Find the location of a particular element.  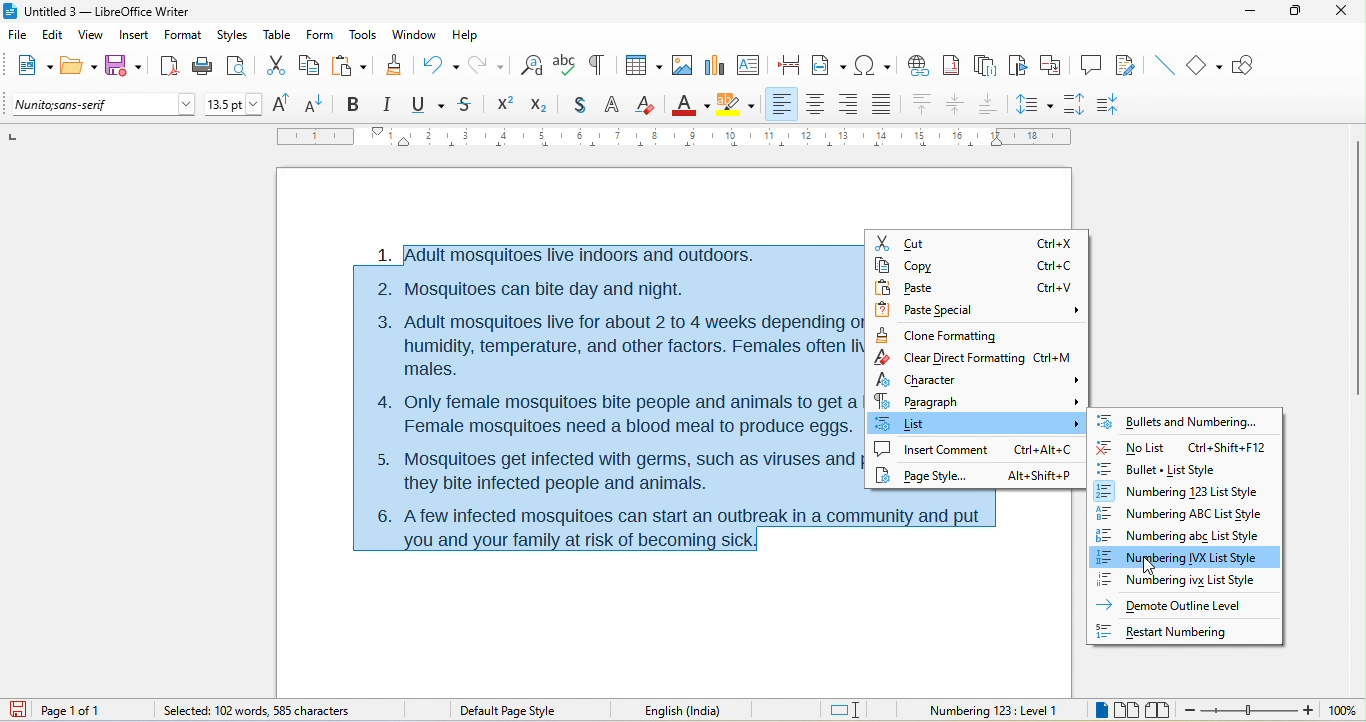

align bottom is located at coordinates (988, 104).